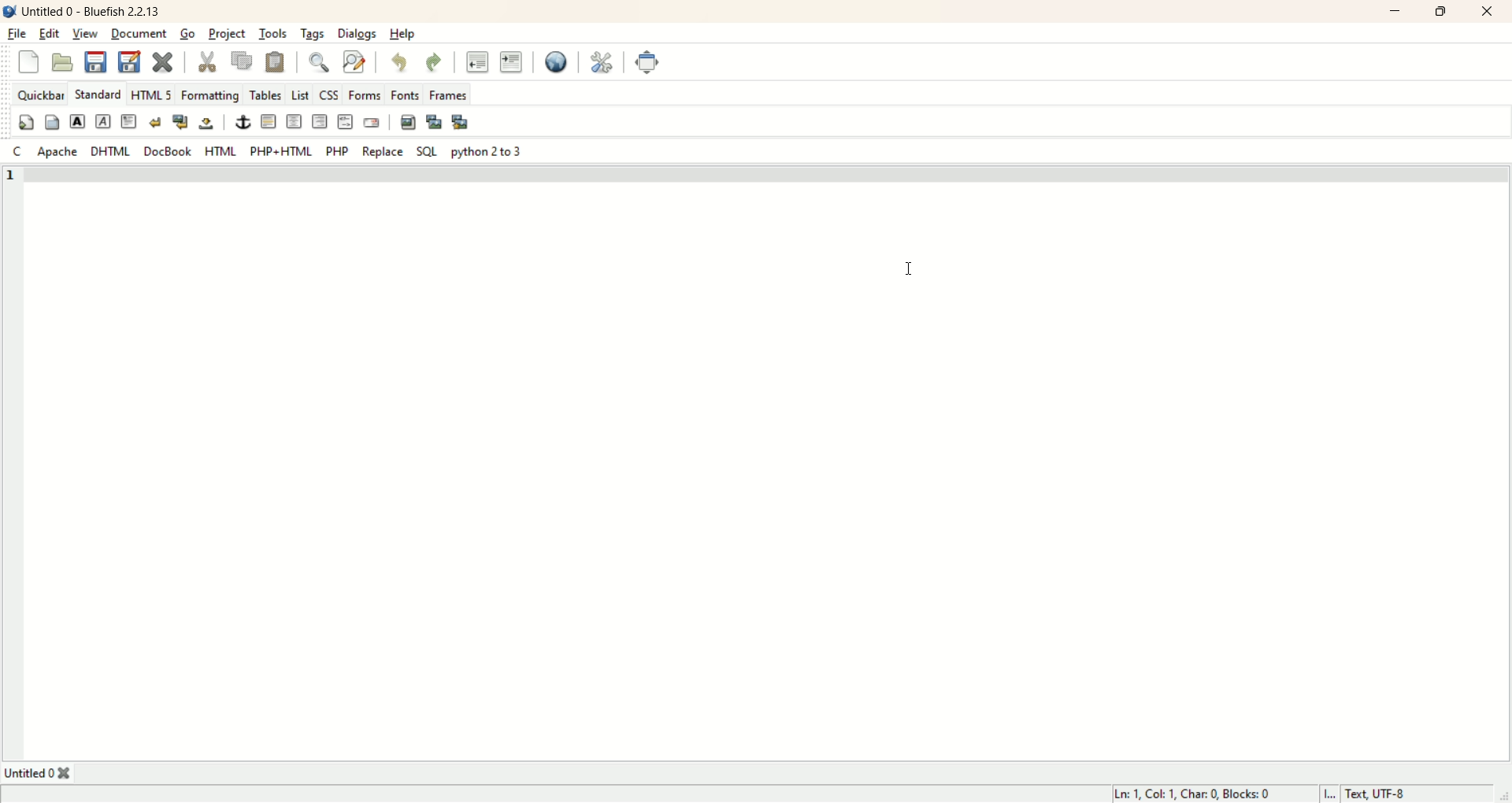 The image size is (1512, 803). Describe the element at coordinates (329, 96) in the screenshot. I see `CSS` at that location.